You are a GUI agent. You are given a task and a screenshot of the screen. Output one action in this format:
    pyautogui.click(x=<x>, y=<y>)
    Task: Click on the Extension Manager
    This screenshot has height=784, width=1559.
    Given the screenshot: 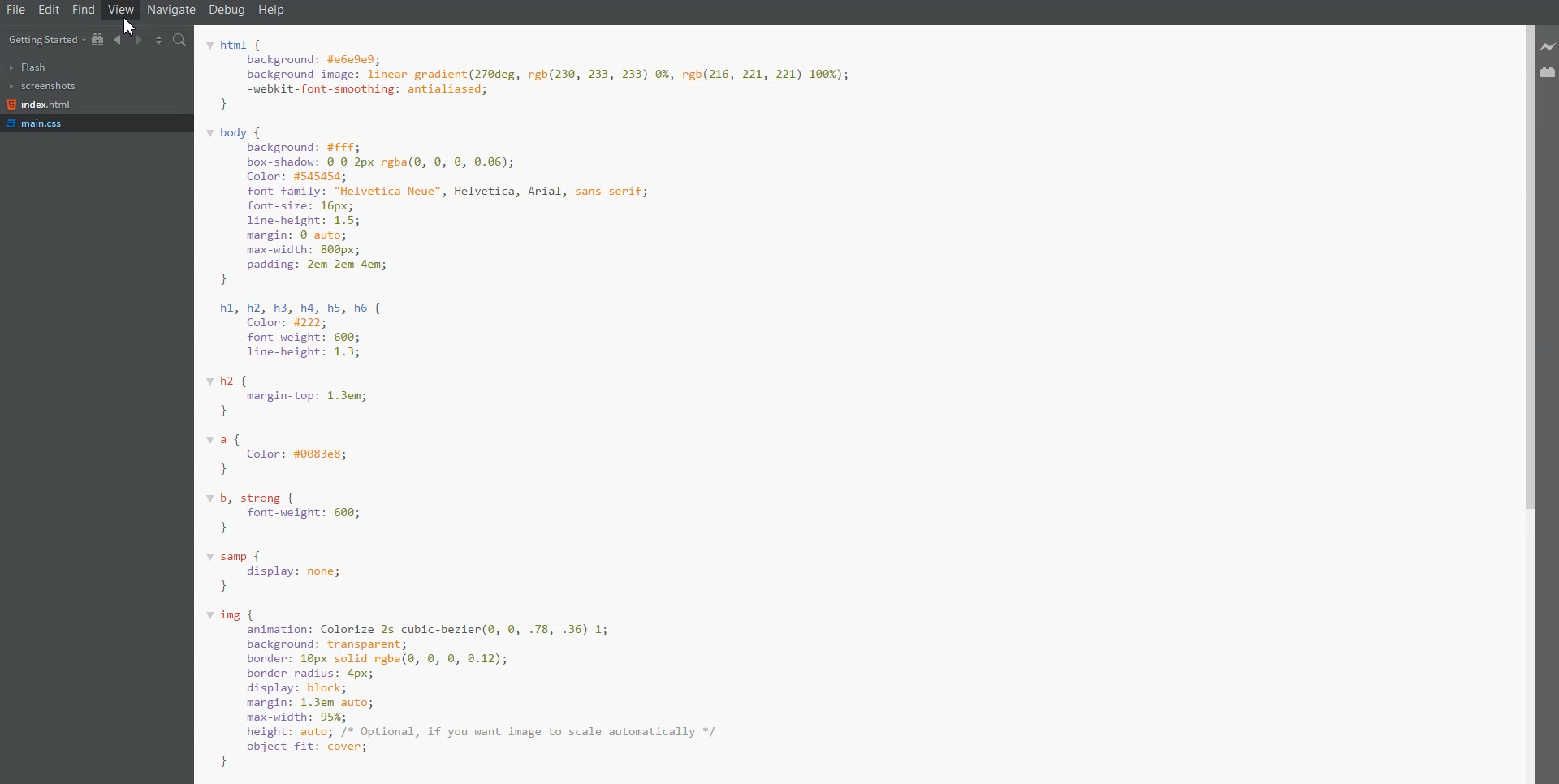 What is the action you would take?
    pyautogui.click(x=1549, y=71)
    